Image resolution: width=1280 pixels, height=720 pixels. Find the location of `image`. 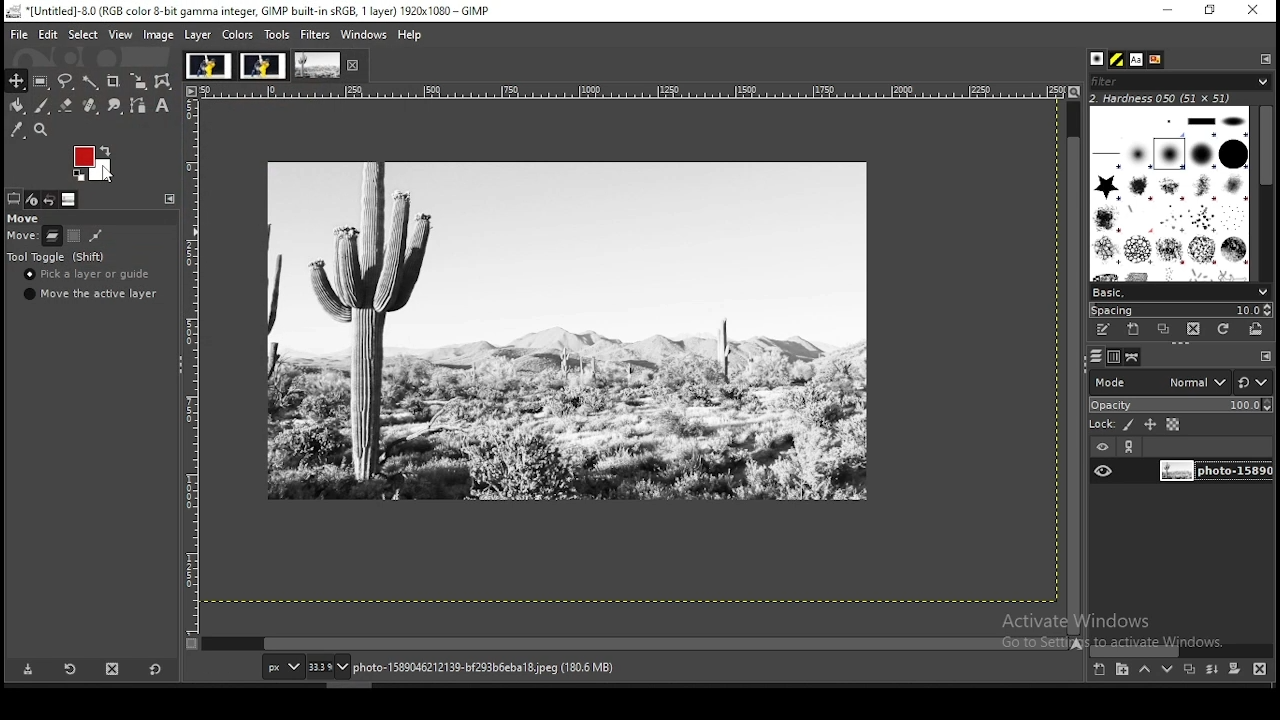

image is located at coordinates (262, 65).